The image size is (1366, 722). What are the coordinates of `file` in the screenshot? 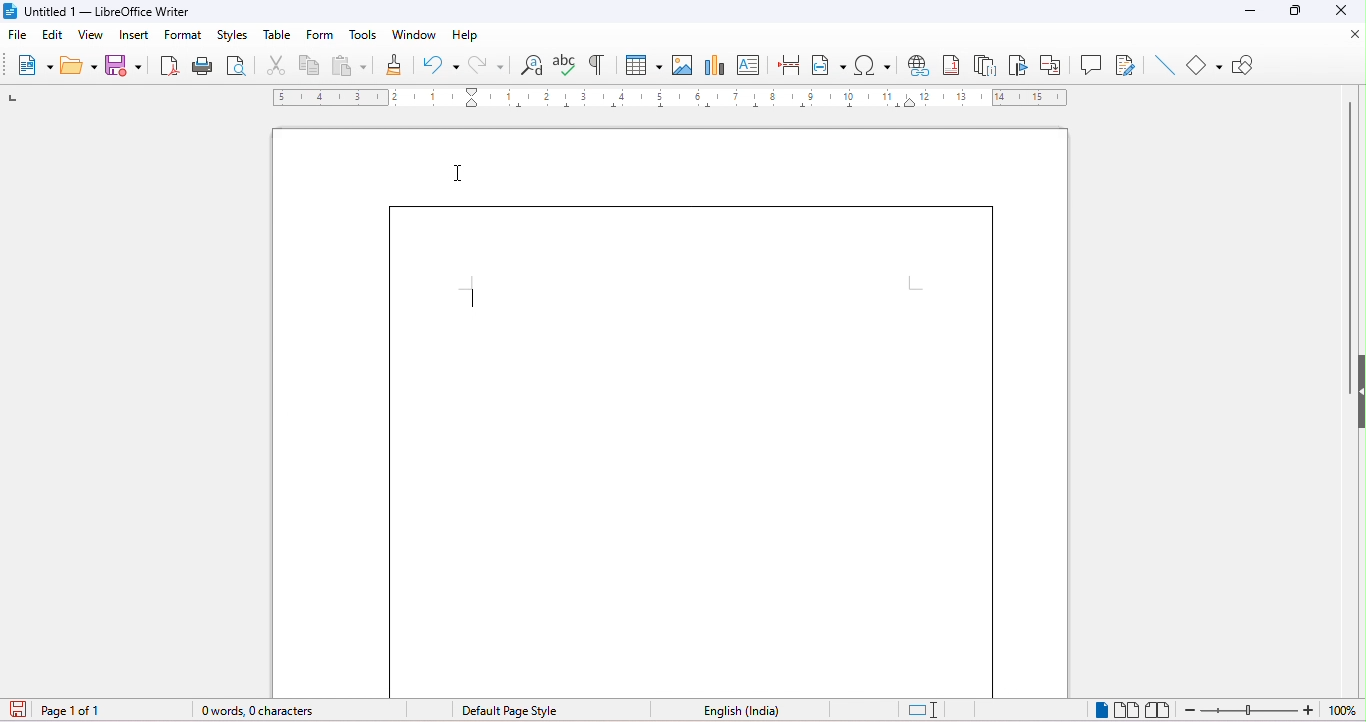 It's located at (18, 35).